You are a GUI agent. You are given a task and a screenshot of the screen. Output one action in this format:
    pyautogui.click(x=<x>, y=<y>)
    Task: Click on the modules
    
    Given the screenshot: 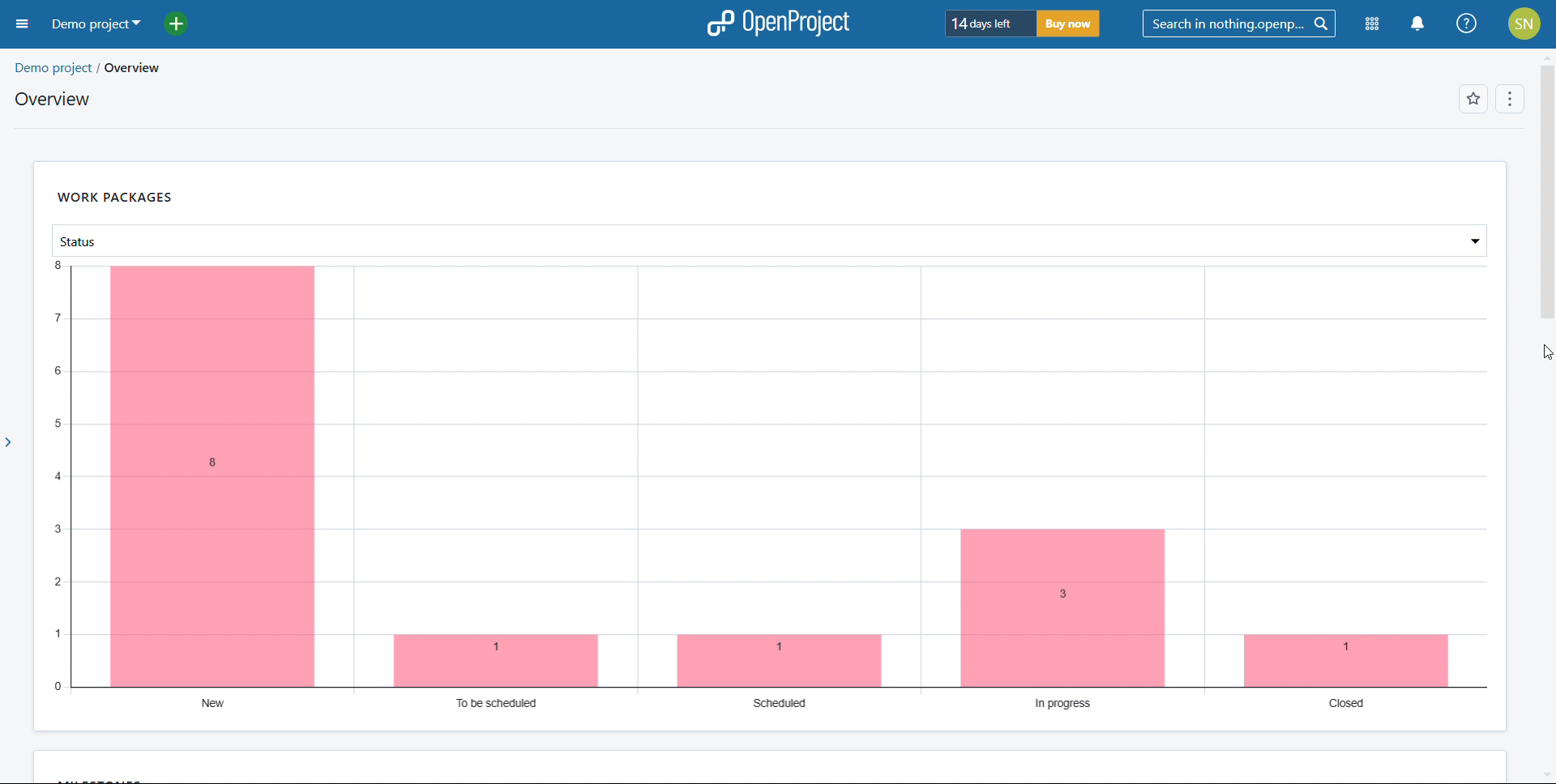 What is the action you would take?
    pyautogui.click(x=1373, y=24)
    